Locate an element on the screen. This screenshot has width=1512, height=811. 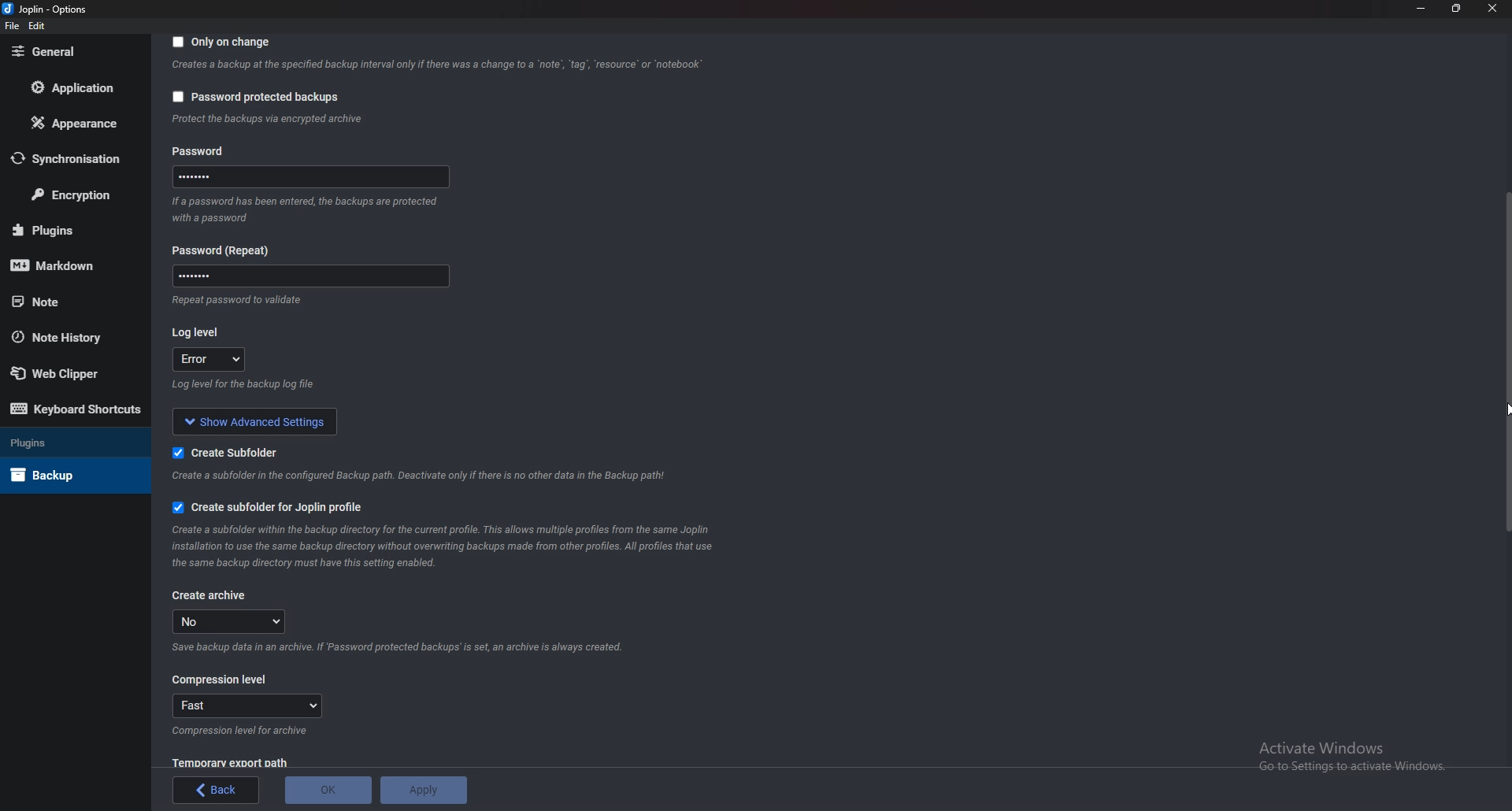
Compression level is located at coordinates (220, 680).